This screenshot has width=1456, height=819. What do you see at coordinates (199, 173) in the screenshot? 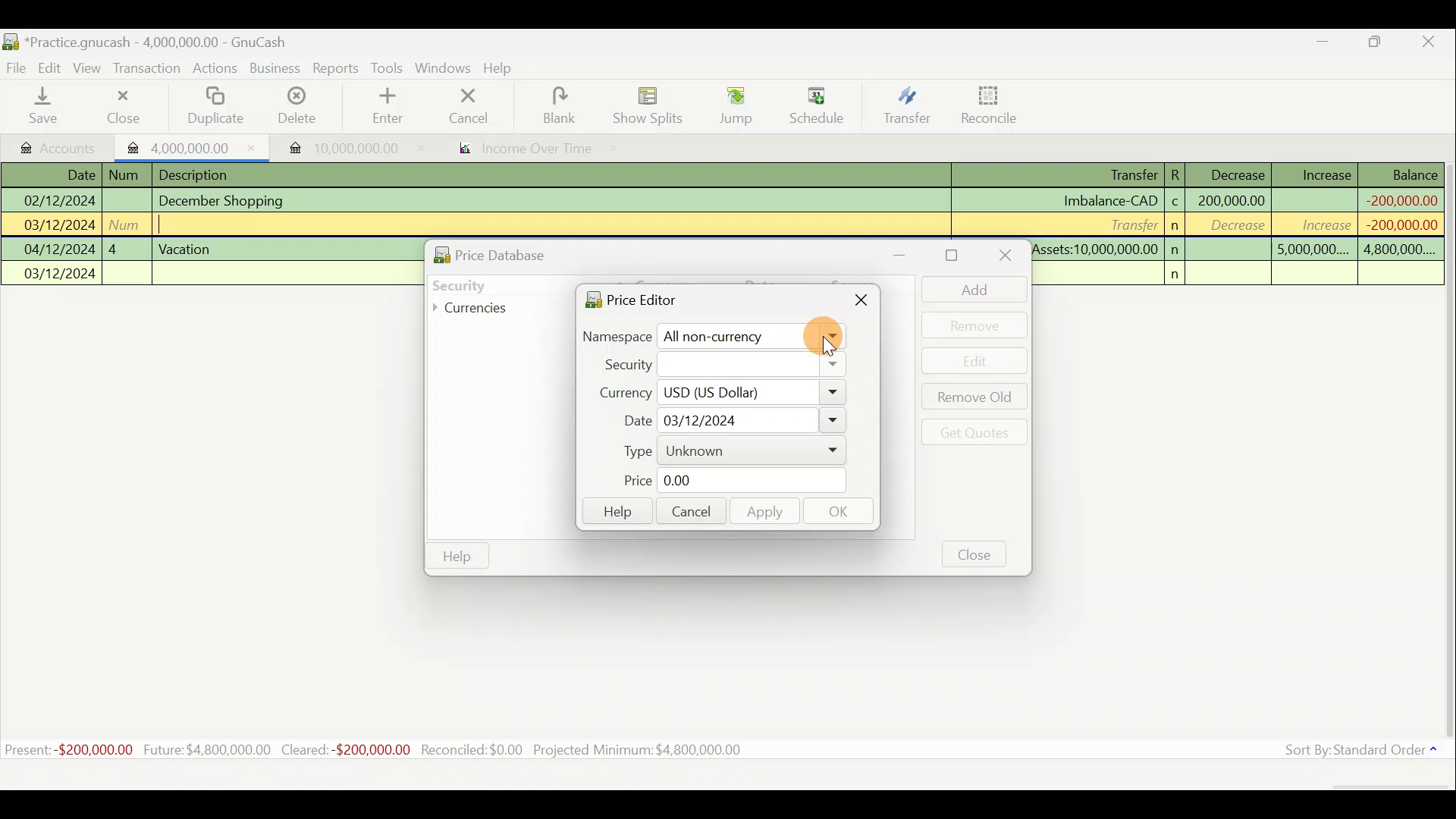
I see `Description` at bounding box center [199, 173].